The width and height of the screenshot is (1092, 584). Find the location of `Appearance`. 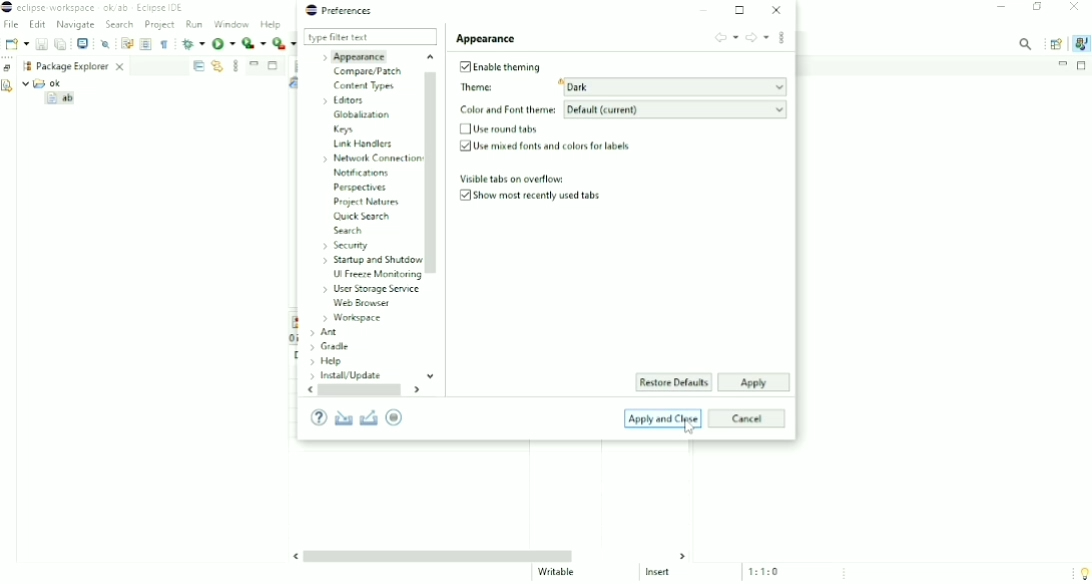

Appearance is located at coordinates (356, 56).